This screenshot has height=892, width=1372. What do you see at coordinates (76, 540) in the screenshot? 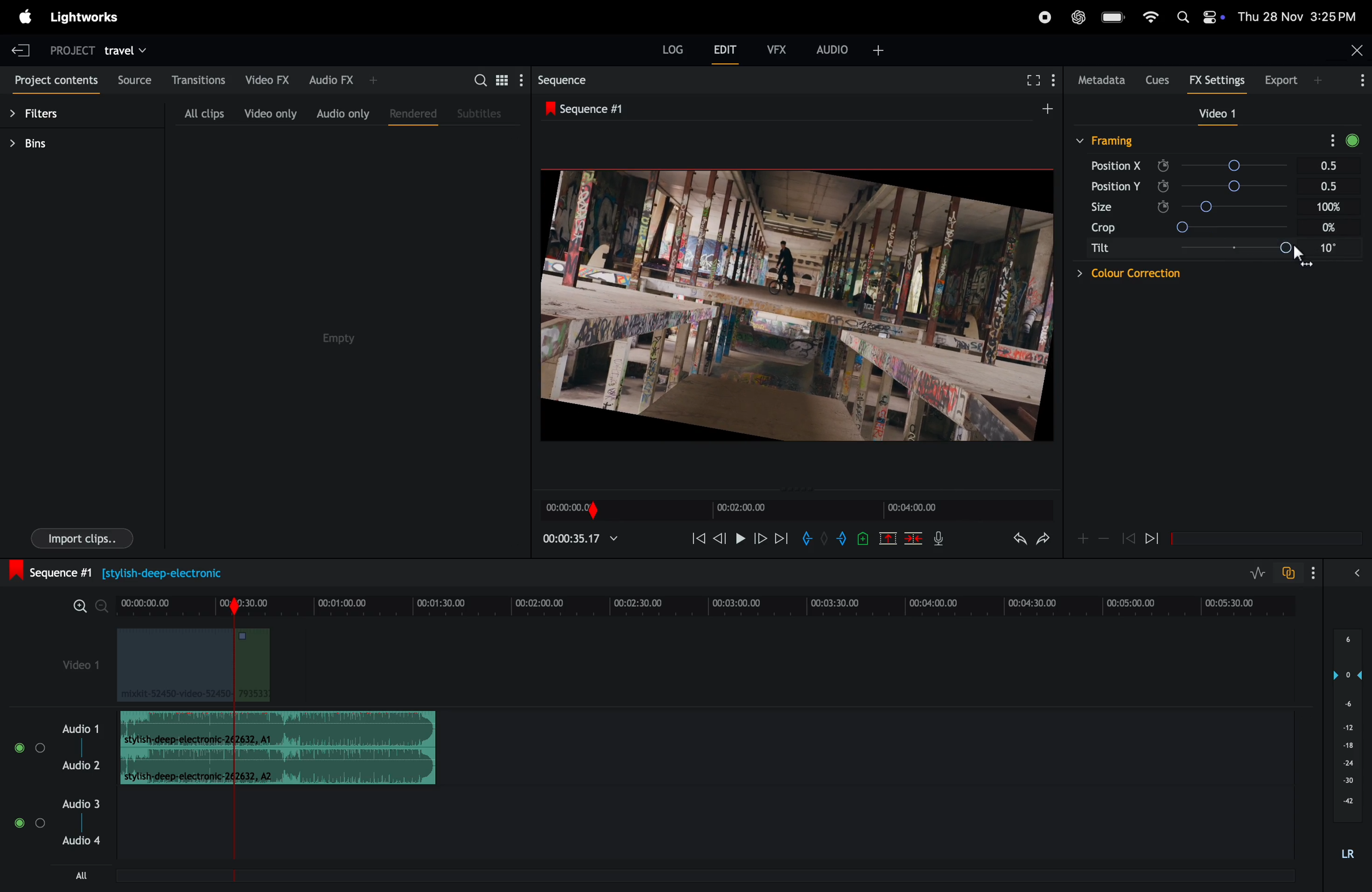
I see `import clips` at bounding box center [76, 540].